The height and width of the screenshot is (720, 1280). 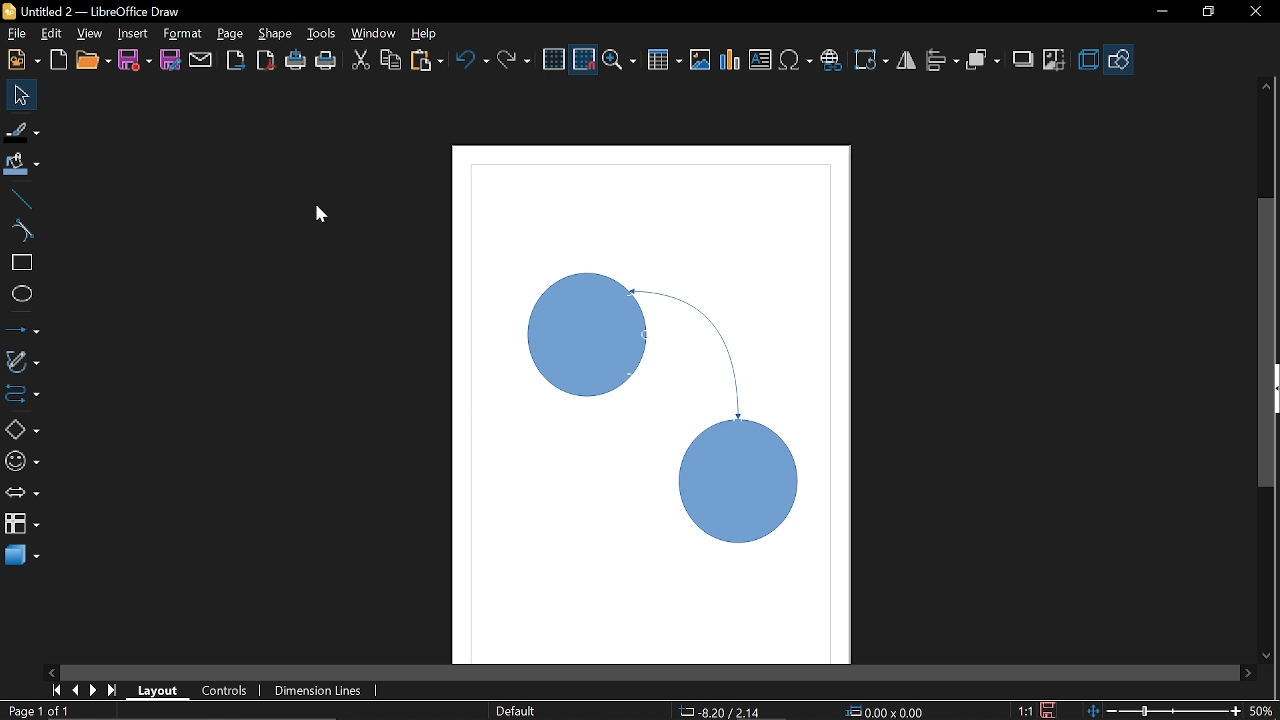 I want to click on Allign, so click(x=942, y=62).